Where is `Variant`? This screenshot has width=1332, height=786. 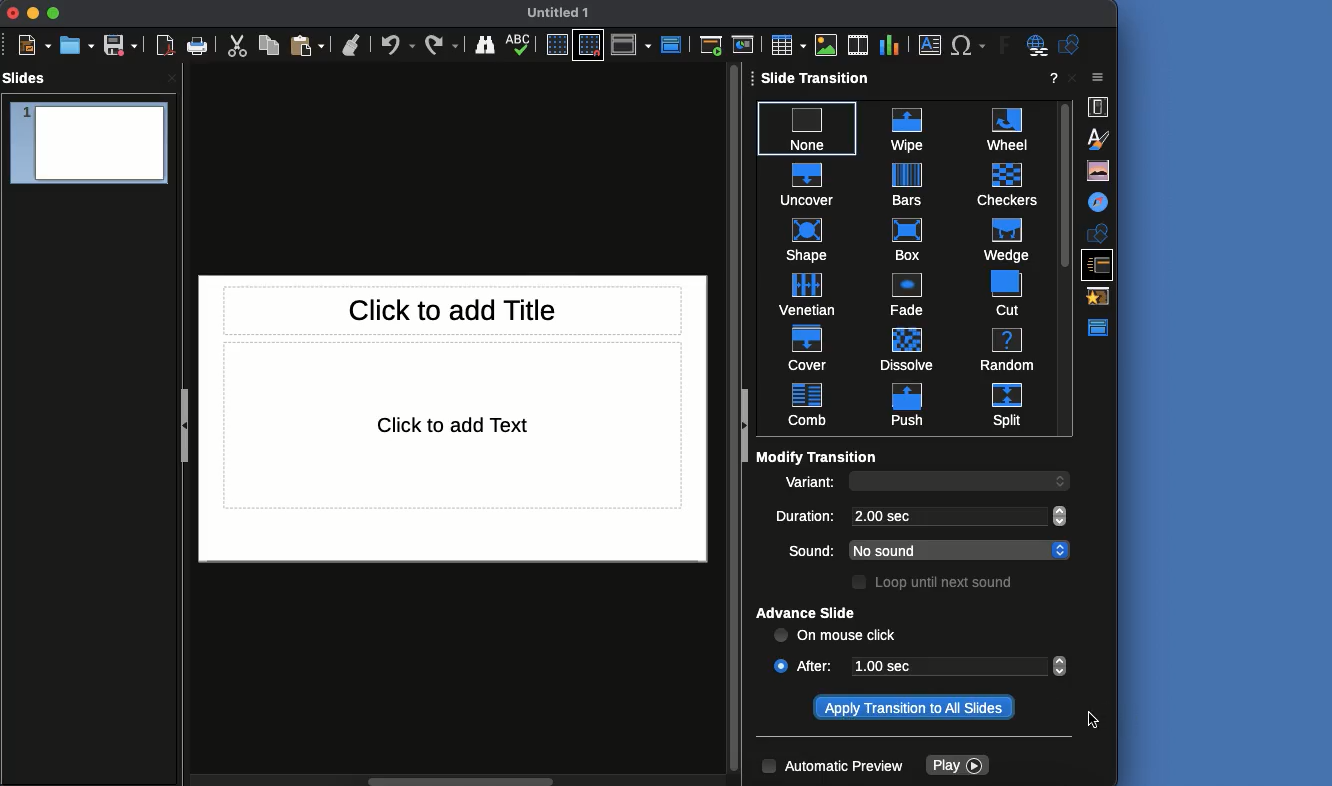
Variant is located at coordinates (810, 485).